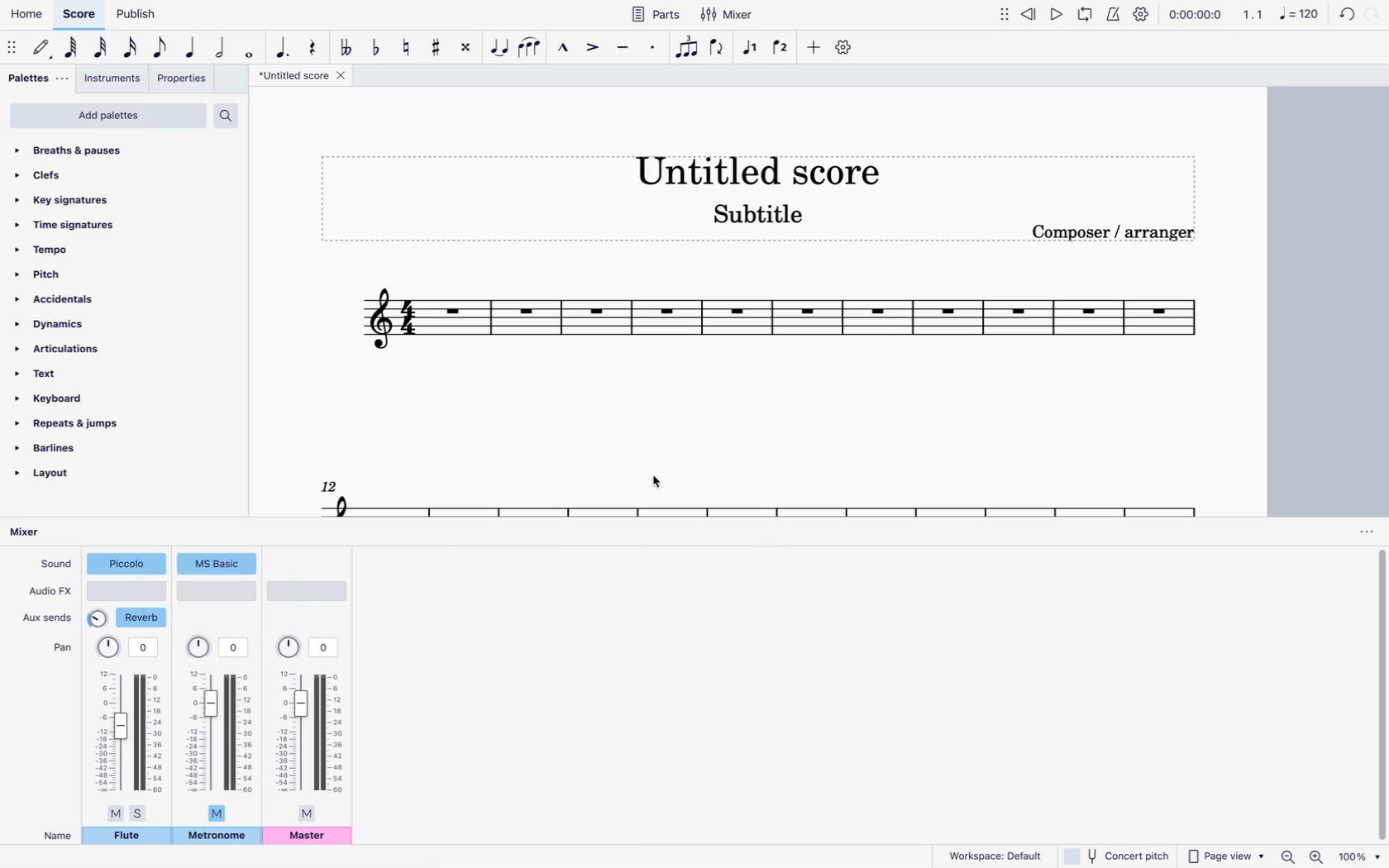  What do you see at coordinates (88, 174) in the screenshot?
I see `clefs` at bounding box center [88, 174].